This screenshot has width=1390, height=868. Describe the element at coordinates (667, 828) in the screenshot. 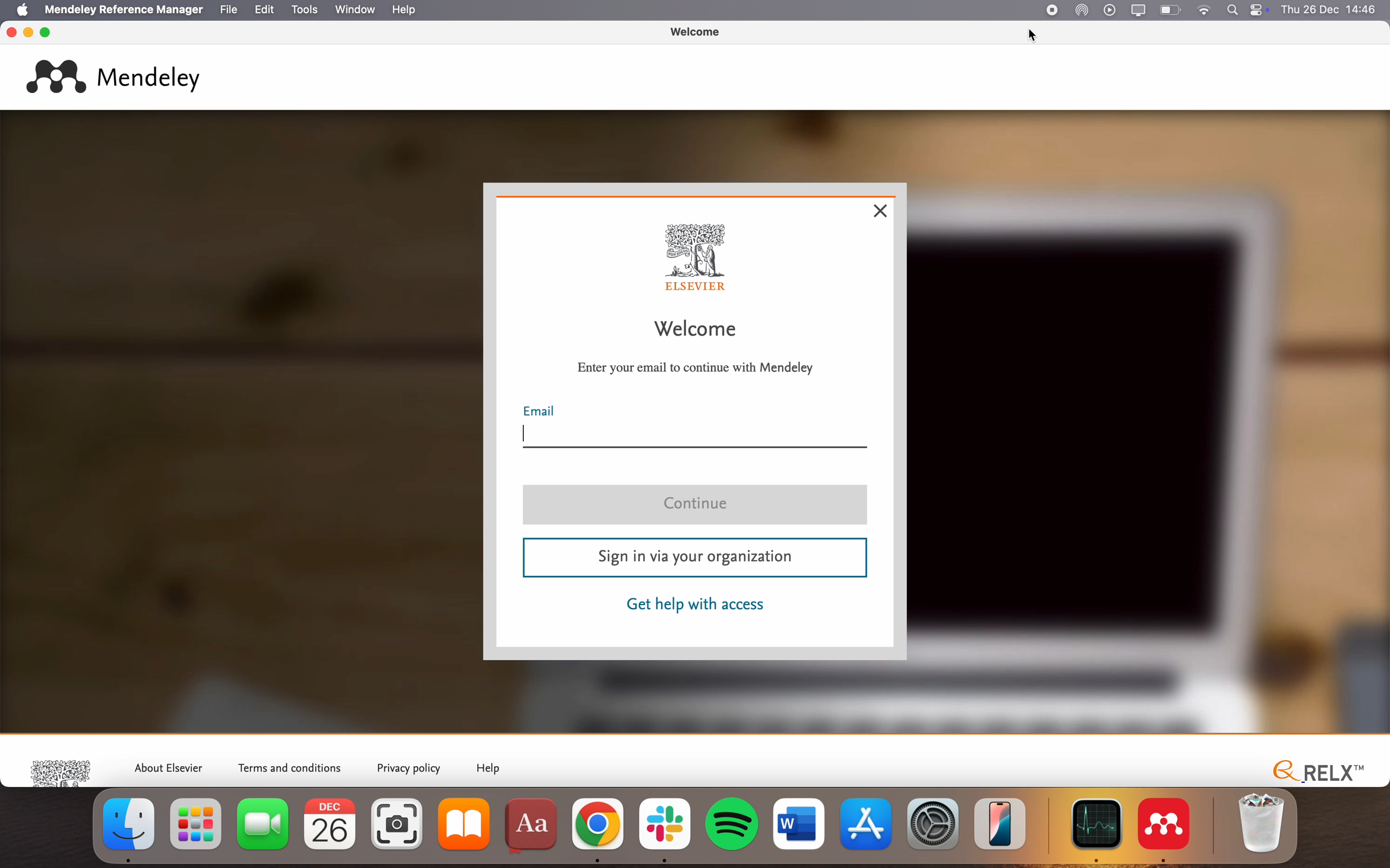

I see `Slack` at that location.